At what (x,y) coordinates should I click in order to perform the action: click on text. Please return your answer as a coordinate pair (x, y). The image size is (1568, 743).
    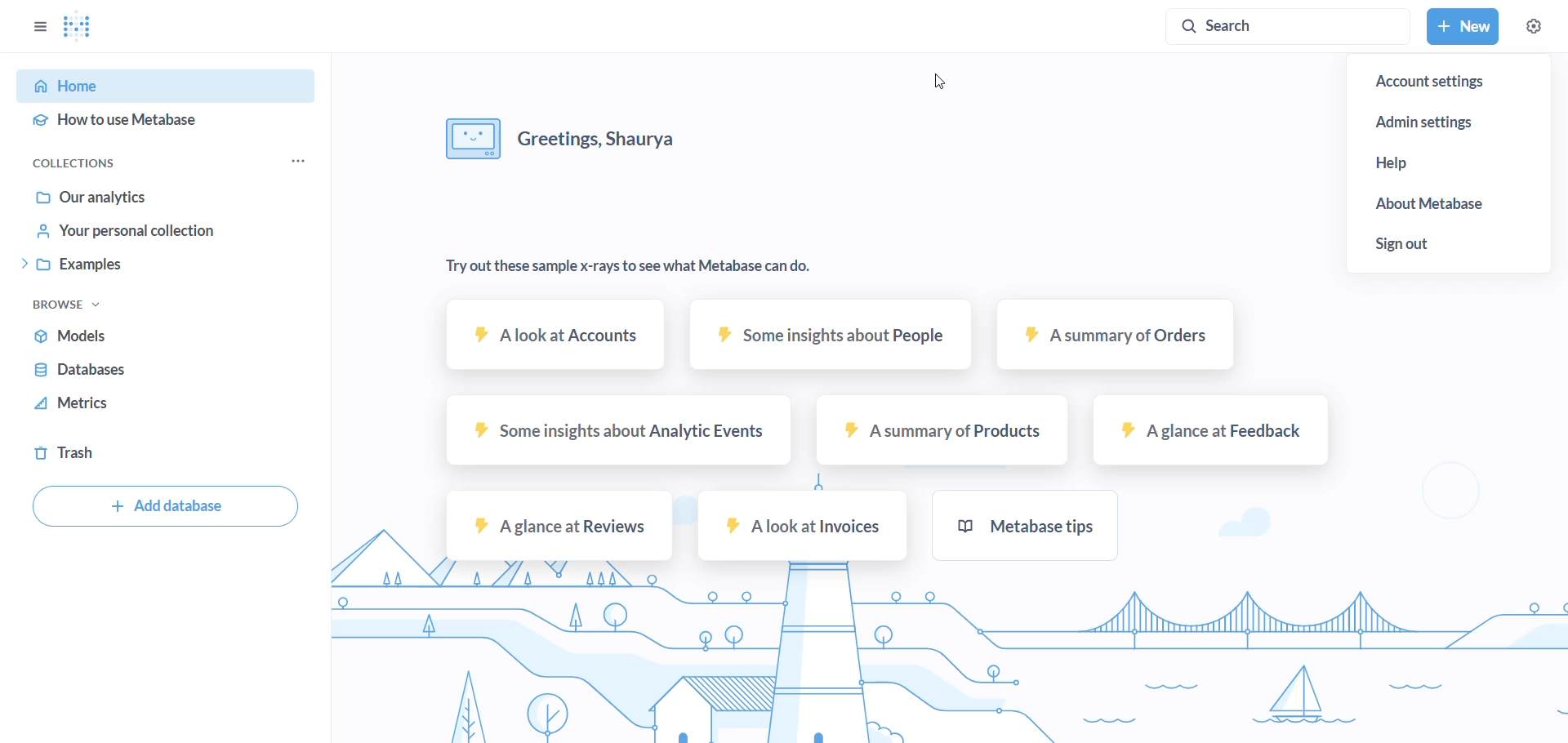
    Looking at the image, I should click on (620, 269).